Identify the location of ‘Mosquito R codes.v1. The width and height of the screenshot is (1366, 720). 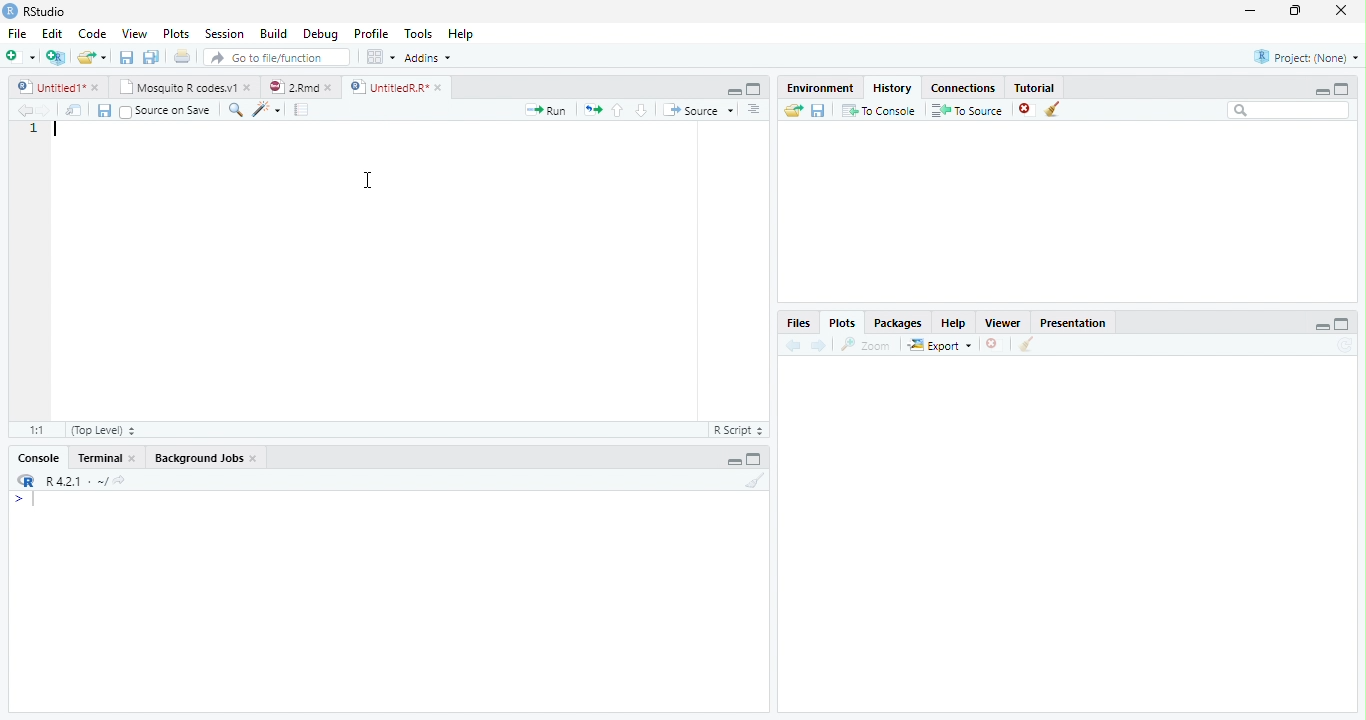
(178, 87).